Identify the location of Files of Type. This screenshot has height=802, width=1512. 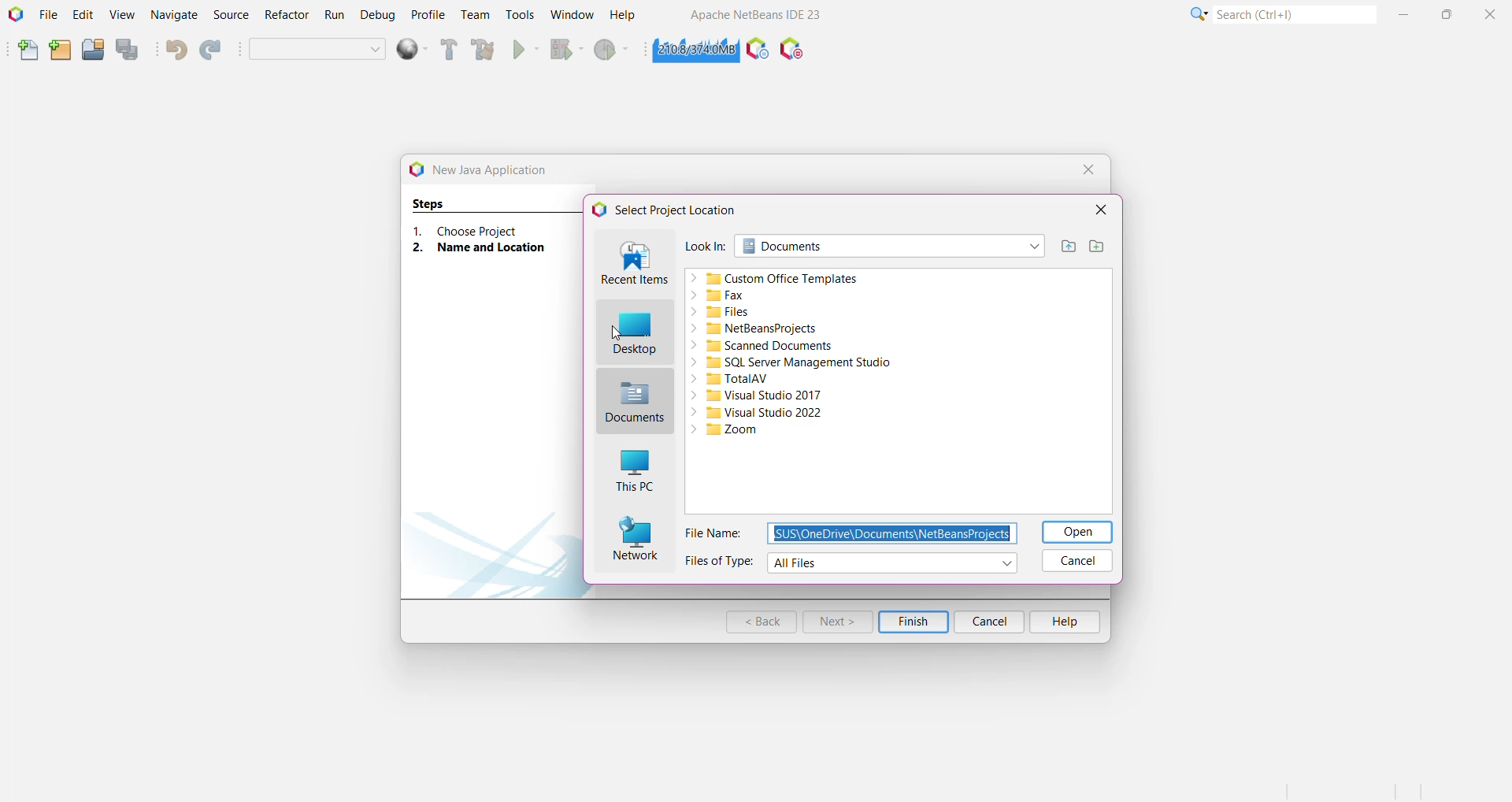
(722, 563).